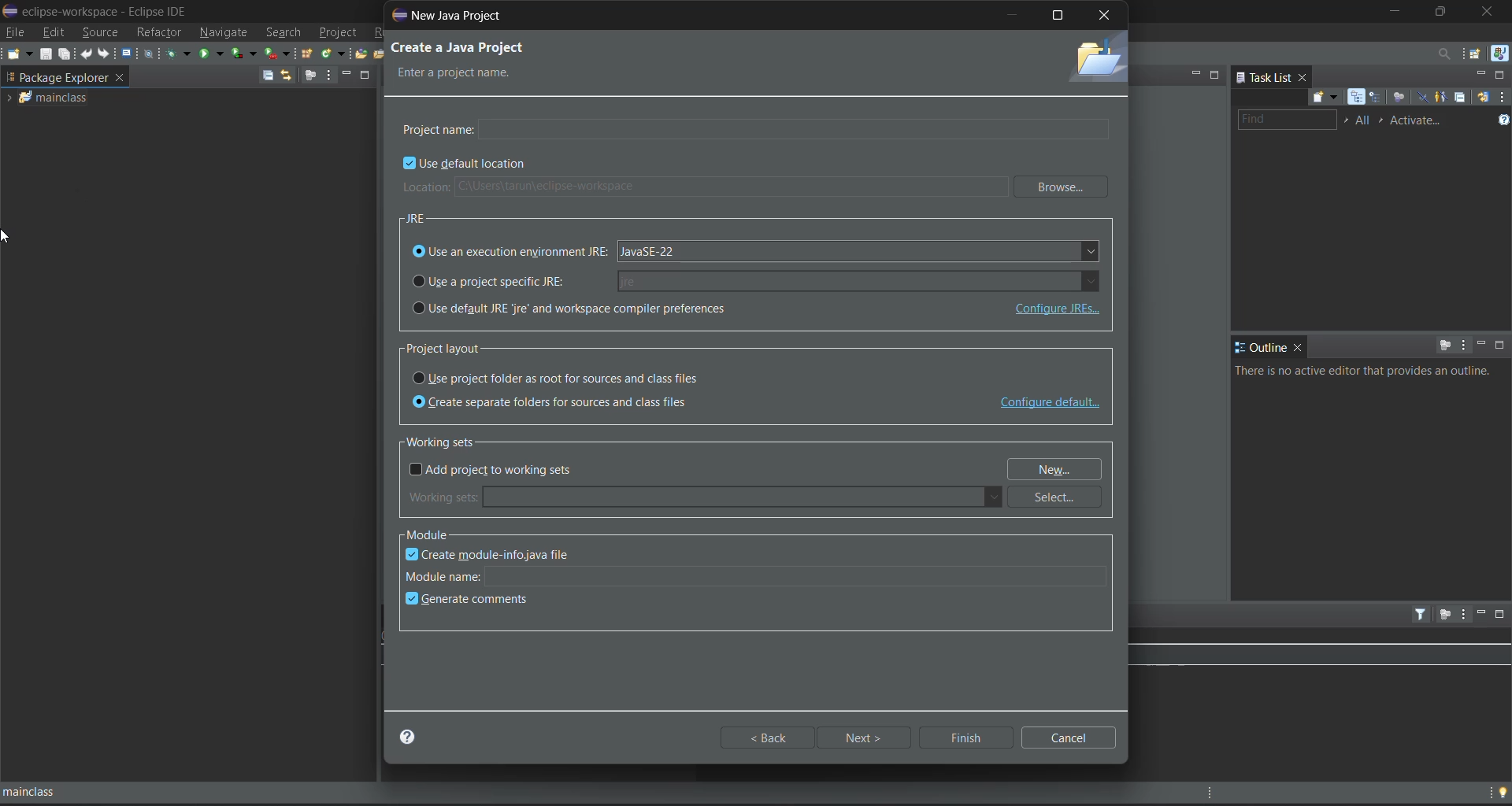 Image resolution: width=1512 pixels, height=806 pixels. I want to click on access commands and other items, so click(1440, 52).